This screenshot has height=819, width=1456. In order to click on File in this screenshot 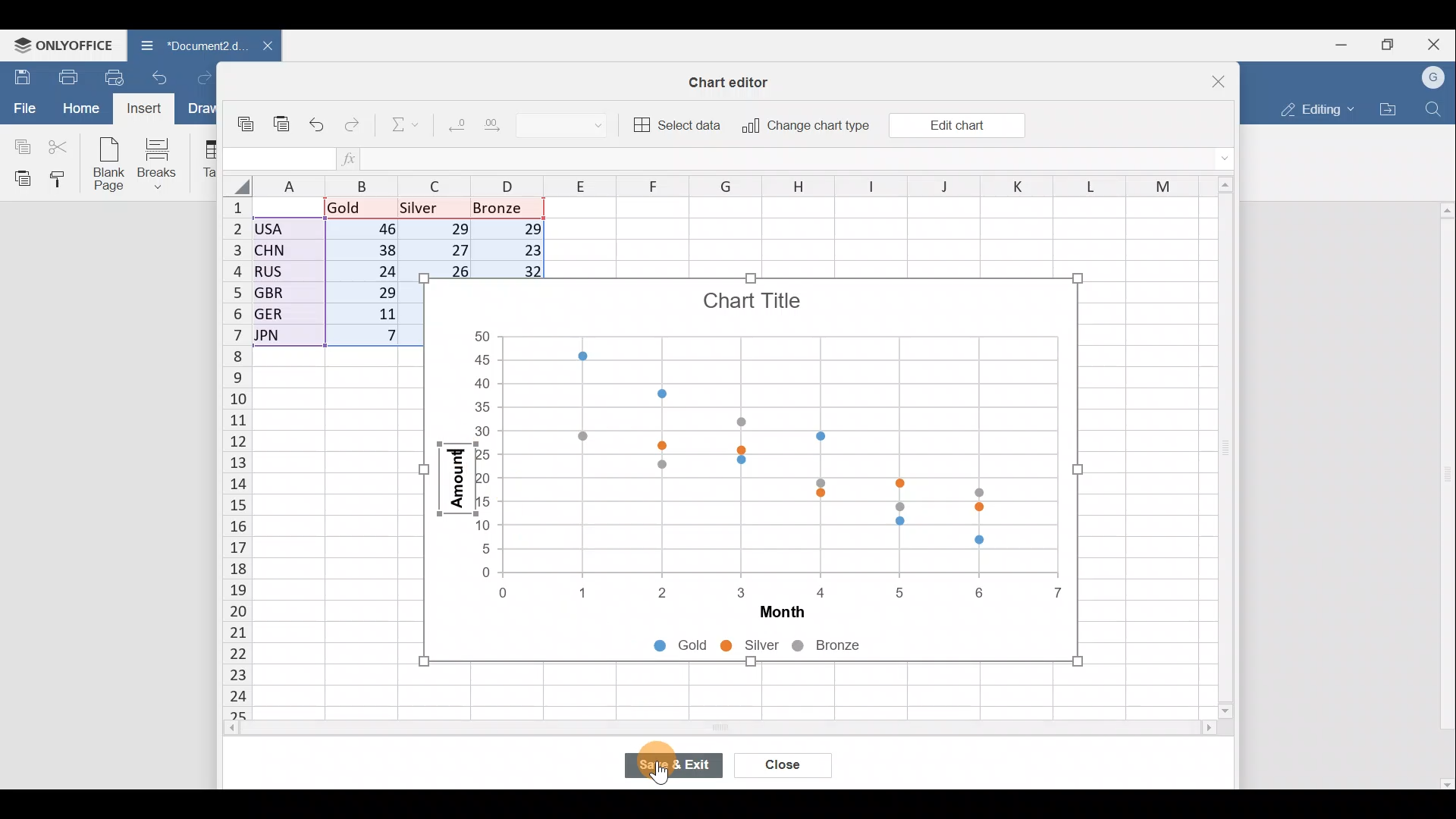, I will do `click(22, 108)`.